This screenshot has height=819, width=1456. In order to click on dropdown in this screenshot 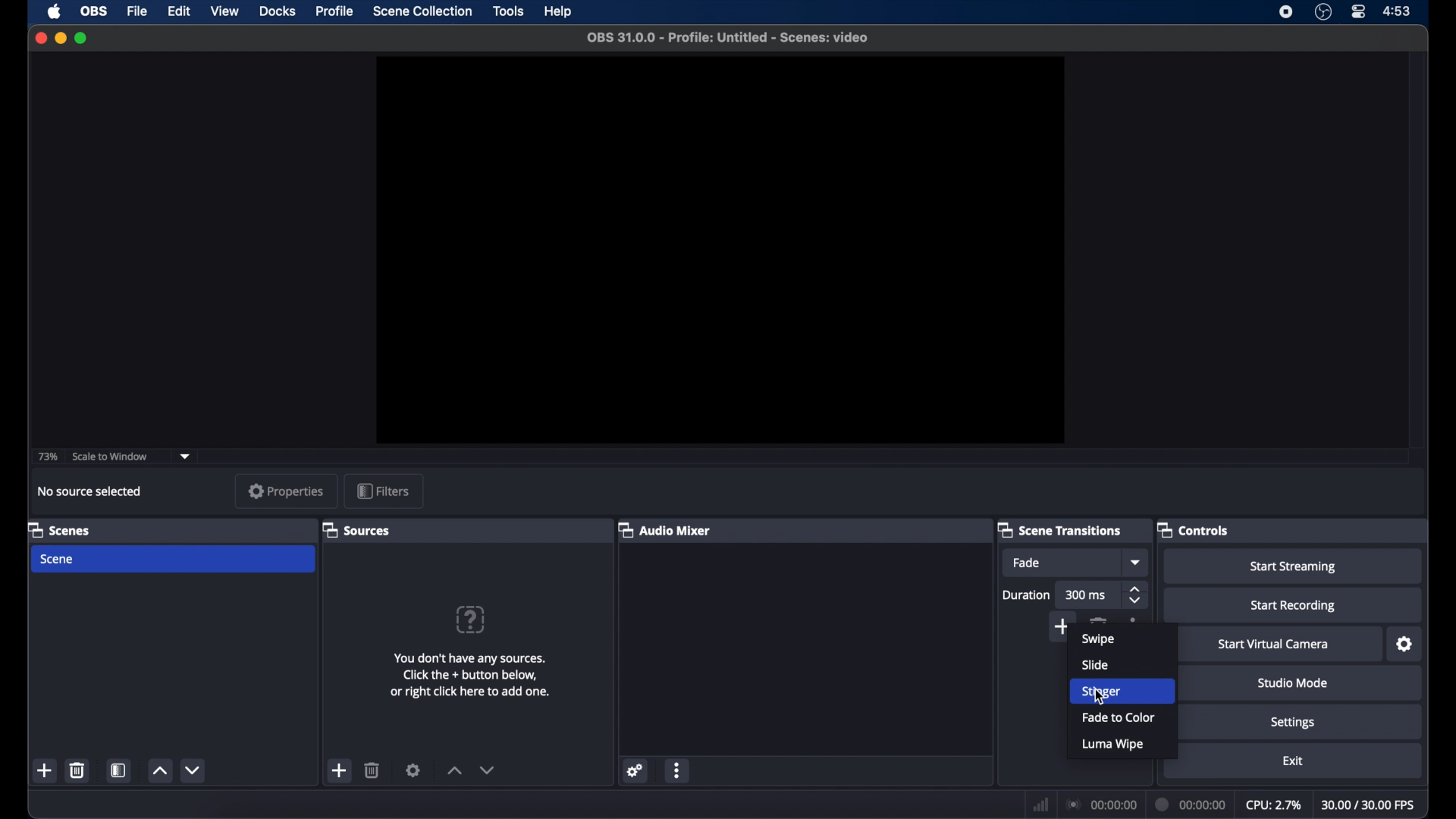, I will do `click(1137, 562)`.